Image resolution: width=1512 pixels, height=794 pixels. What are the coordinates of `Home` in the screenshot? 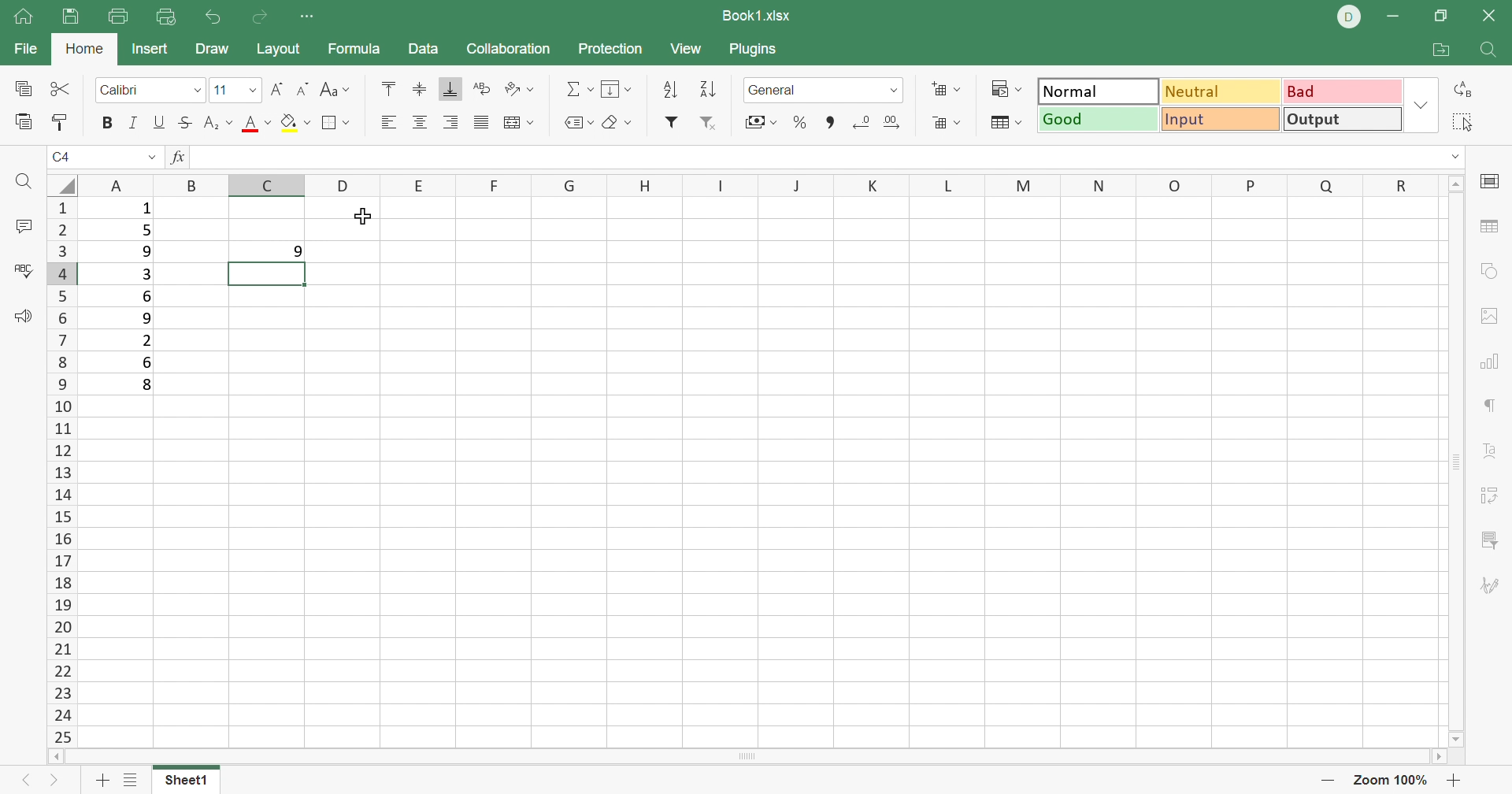 It's located at (24, 17).